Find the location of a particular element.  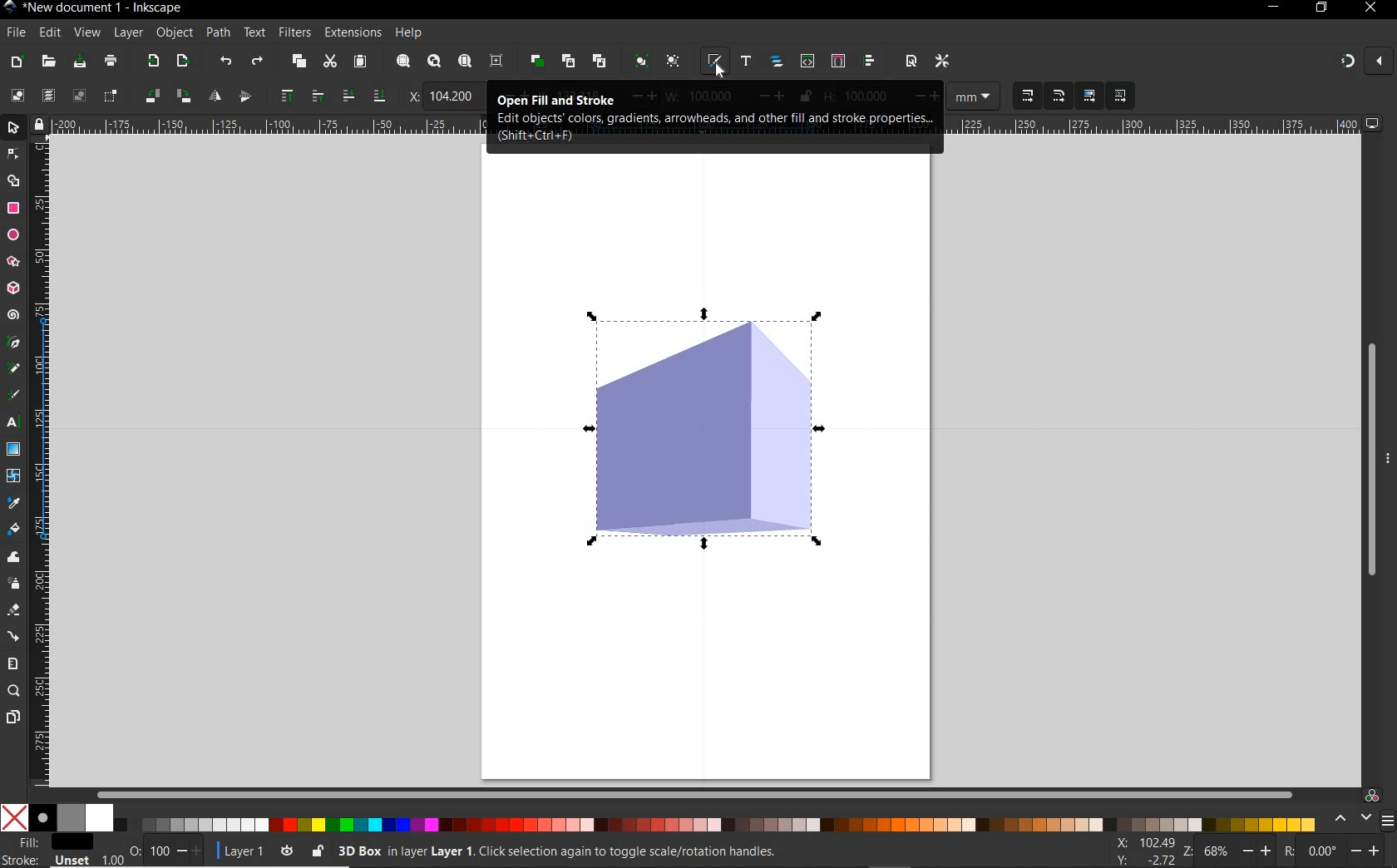

SELECT ALL IN ALL LAYERS is located at coordinates (47, 95).